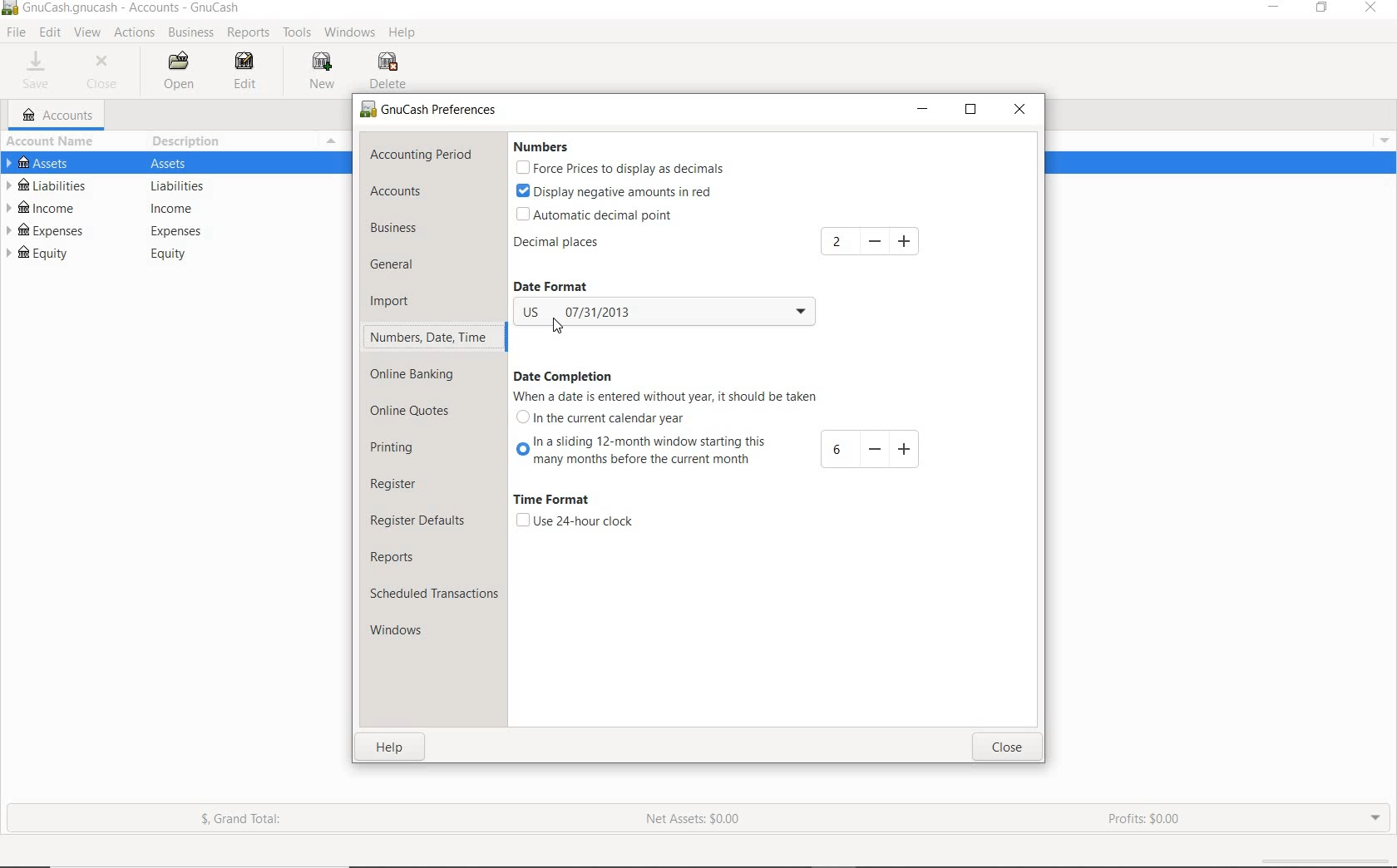 The width and height of the screenshot is (1397, 868). What do you see at coordinates (125, 8) in the screenshot?
I see `SYSTEM NAME` at bounding box center [125, 8].